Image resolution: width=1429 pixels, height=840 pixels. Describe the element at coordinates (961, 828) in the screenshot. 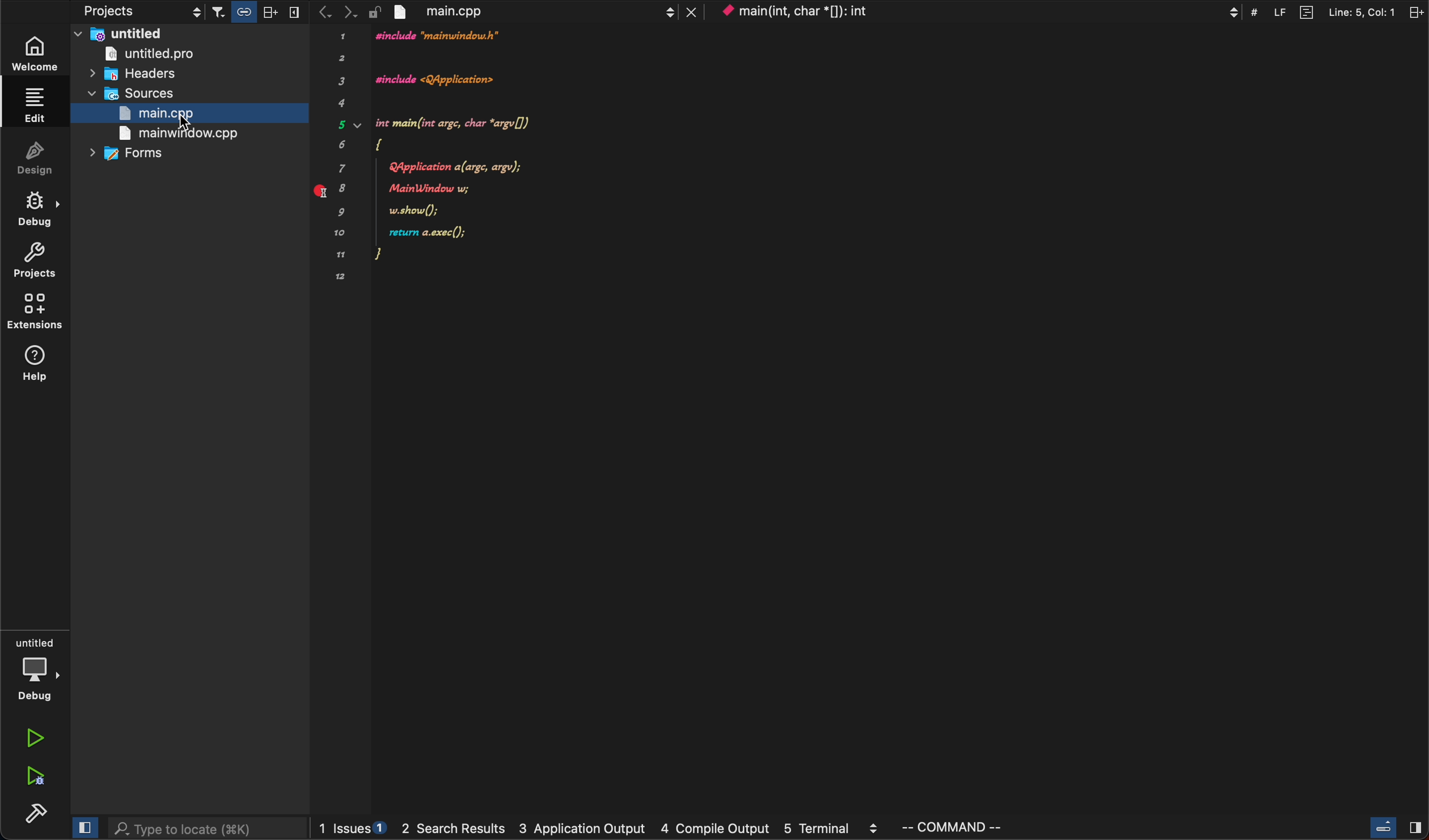

I see `command` at that location.